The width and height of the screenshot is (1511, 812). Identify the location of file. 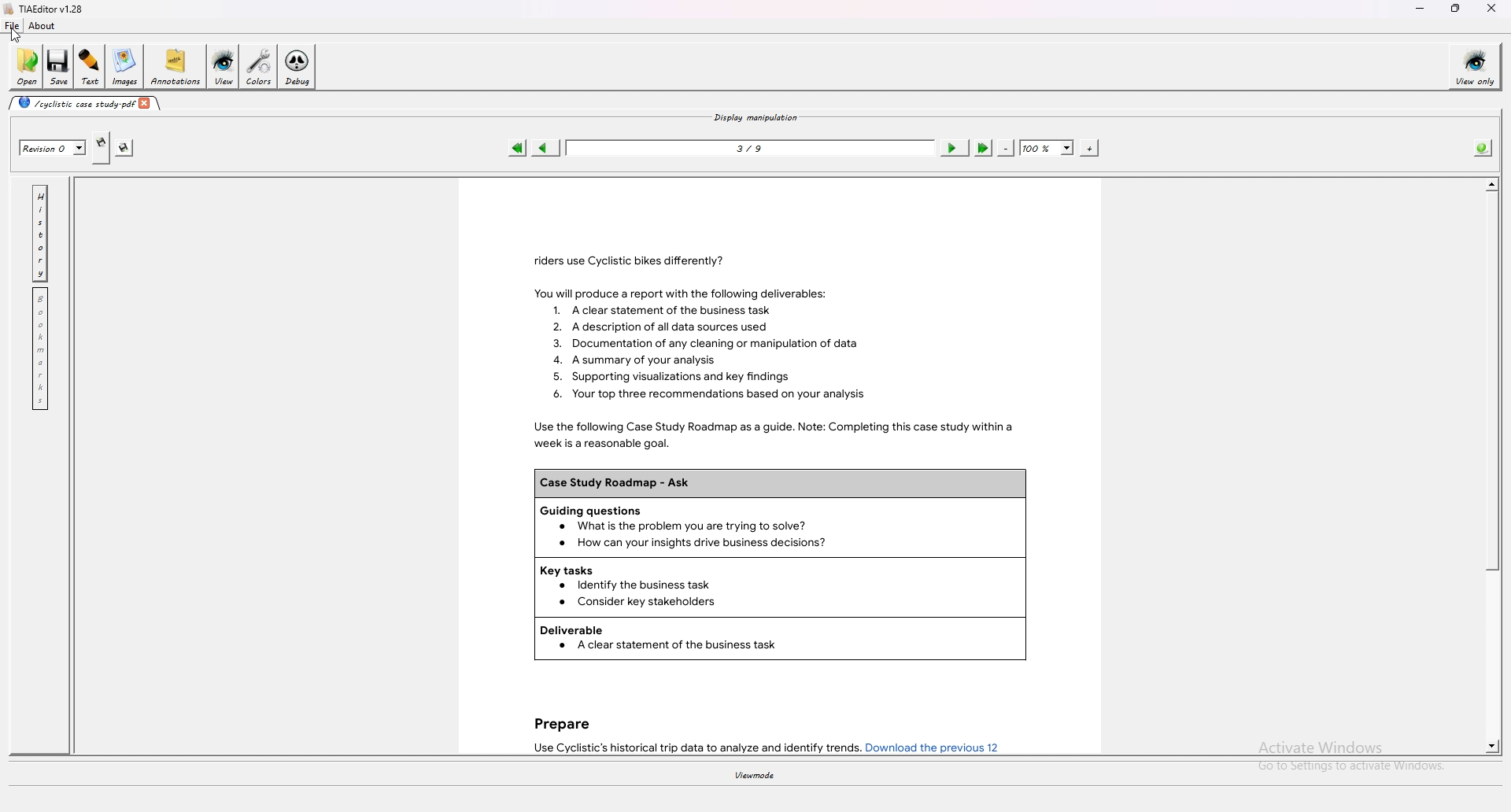
(12, 26).